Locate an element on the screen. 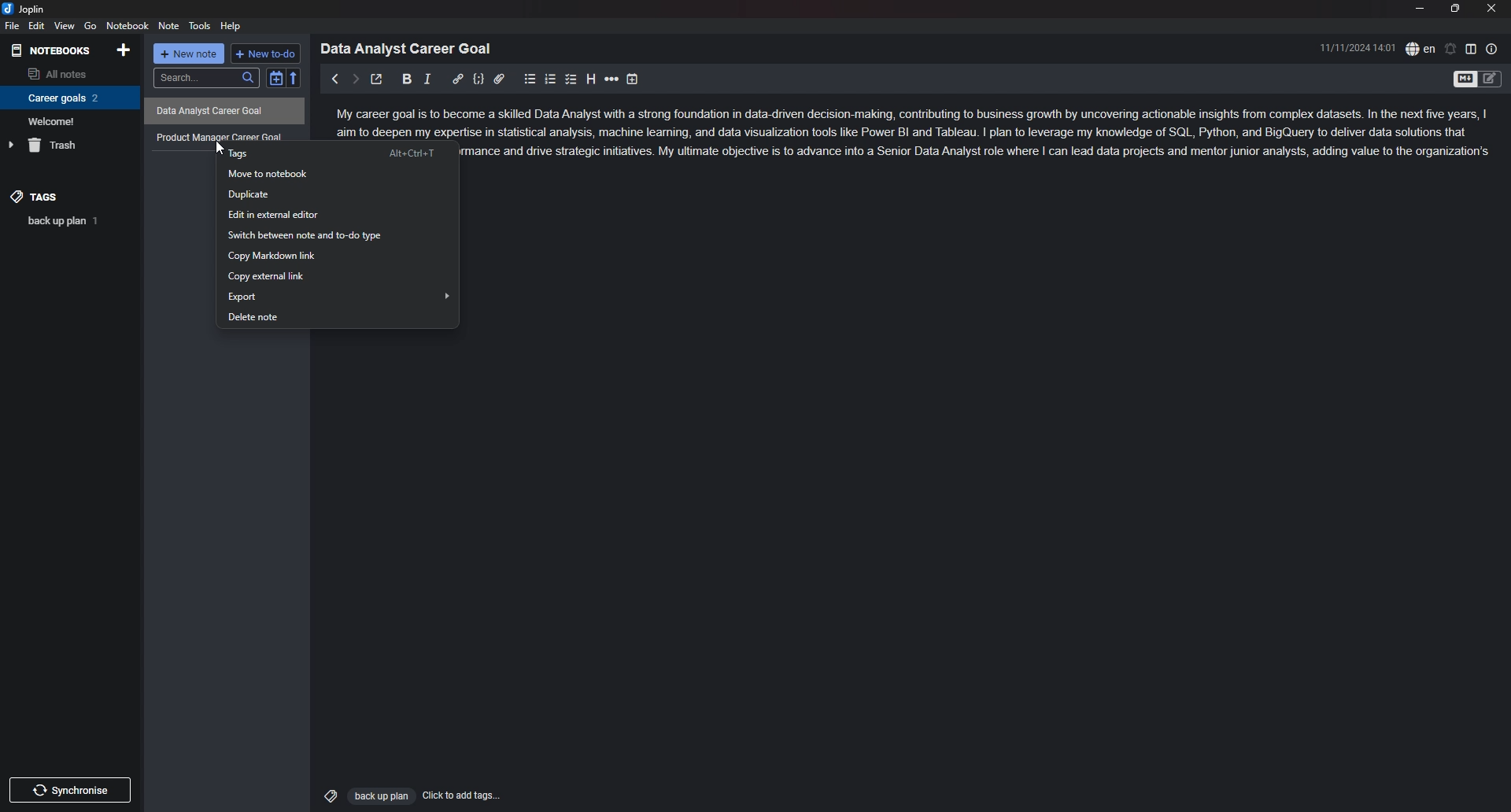  spell check is located at coordinates (1420, 49).